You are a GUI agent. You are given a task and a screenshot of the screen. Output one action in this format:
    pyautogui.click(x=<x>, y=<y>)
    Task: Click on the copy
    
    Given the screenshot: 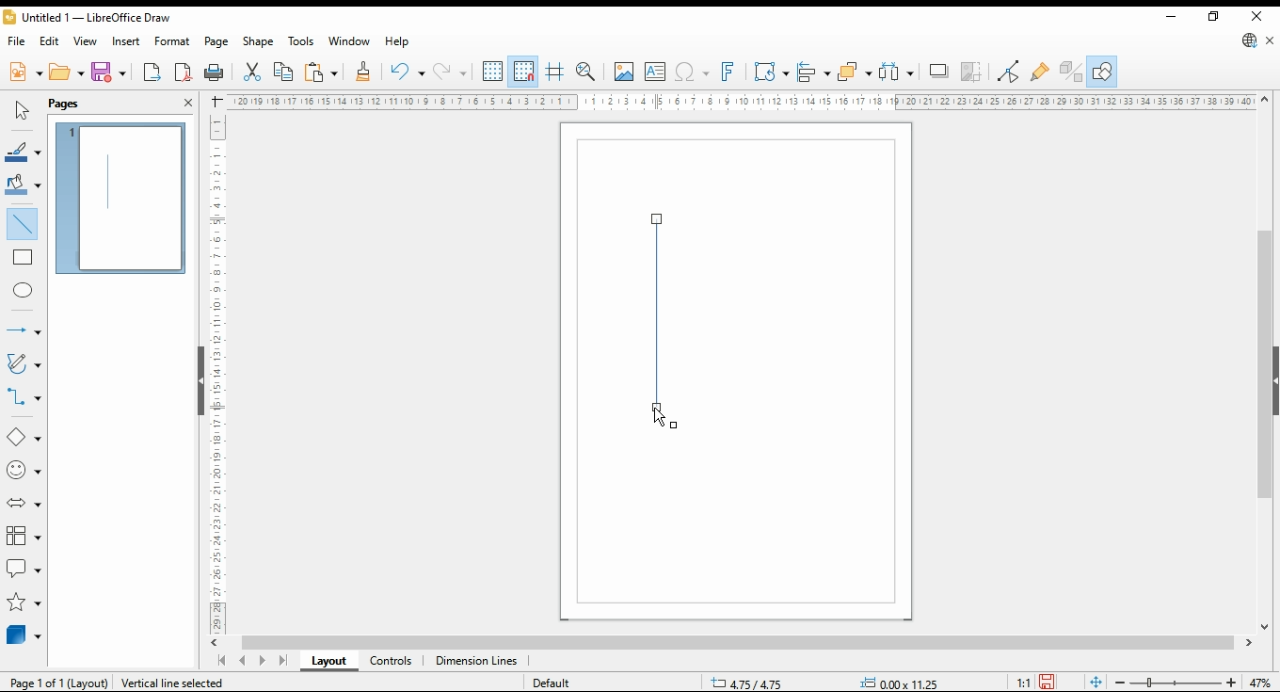 What is the action you would take?
    pyautogui.click(x=283, y=72)
    